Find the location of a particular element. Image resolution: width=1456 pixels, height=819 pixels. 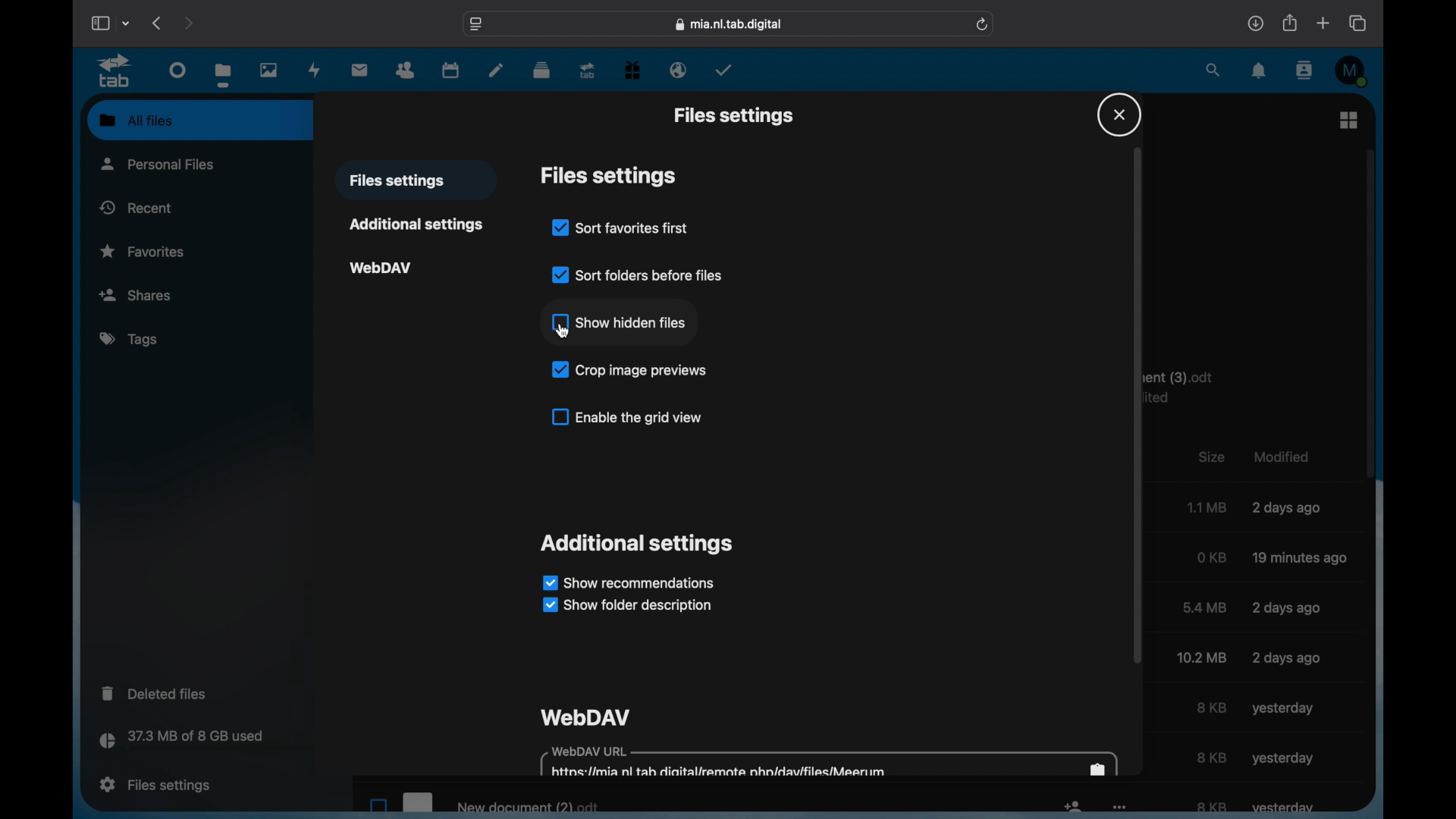

notes is located at coordinates (496, 71).